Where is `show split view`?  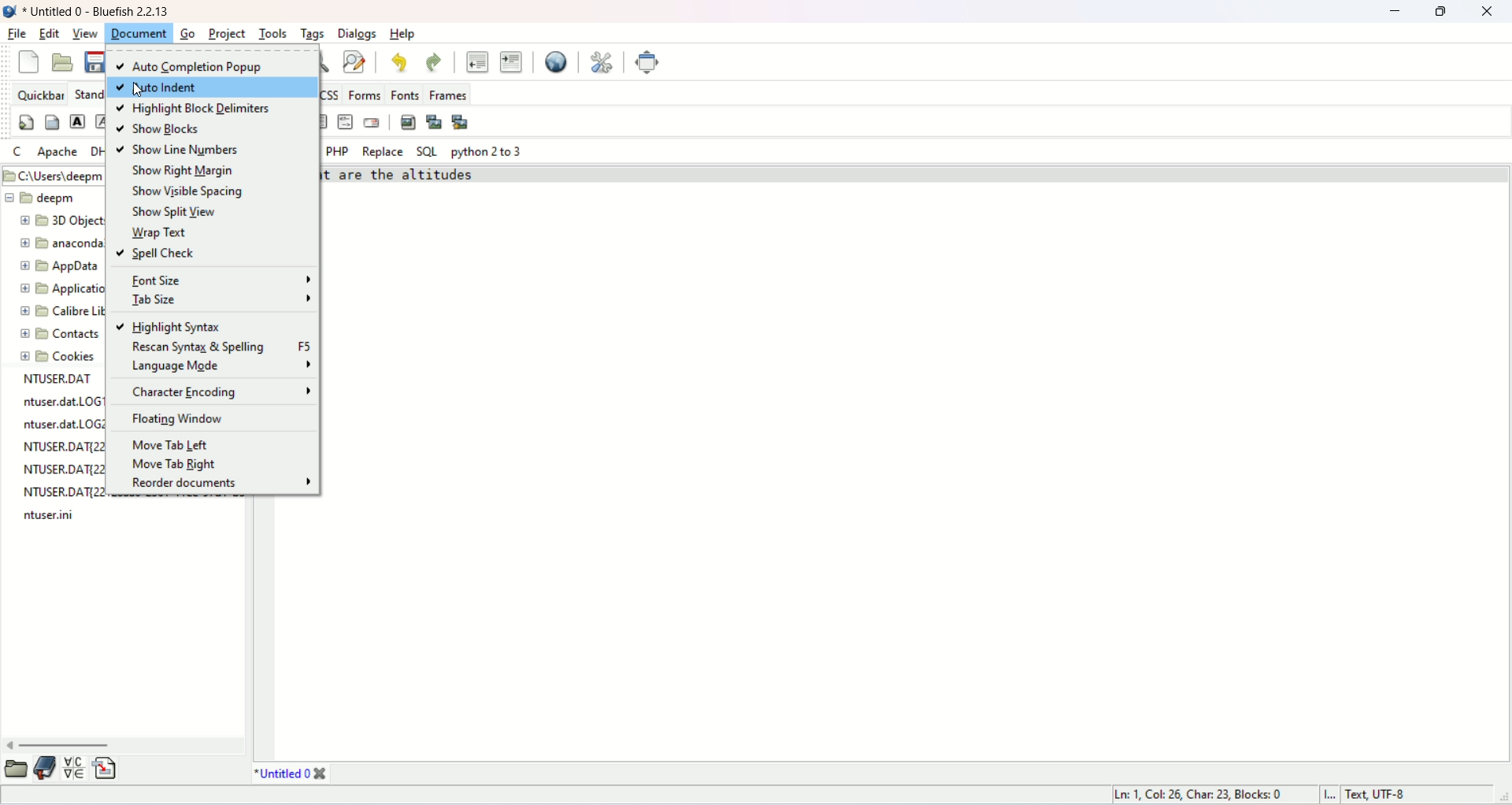 show split view is located at coordinates (180, 212).